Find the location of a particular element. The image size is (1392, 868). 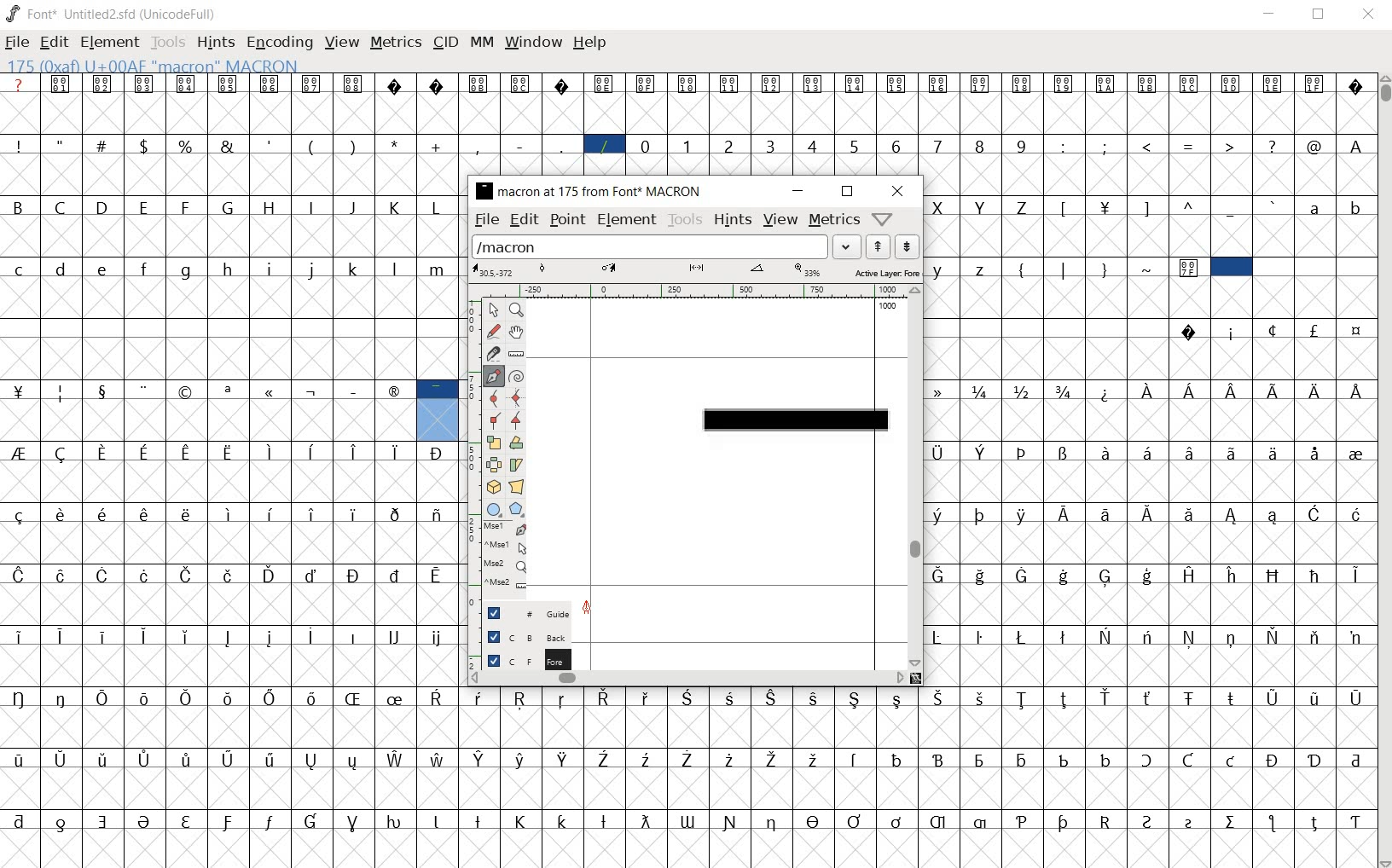

Symbol is located at coordinates (1066, 822).